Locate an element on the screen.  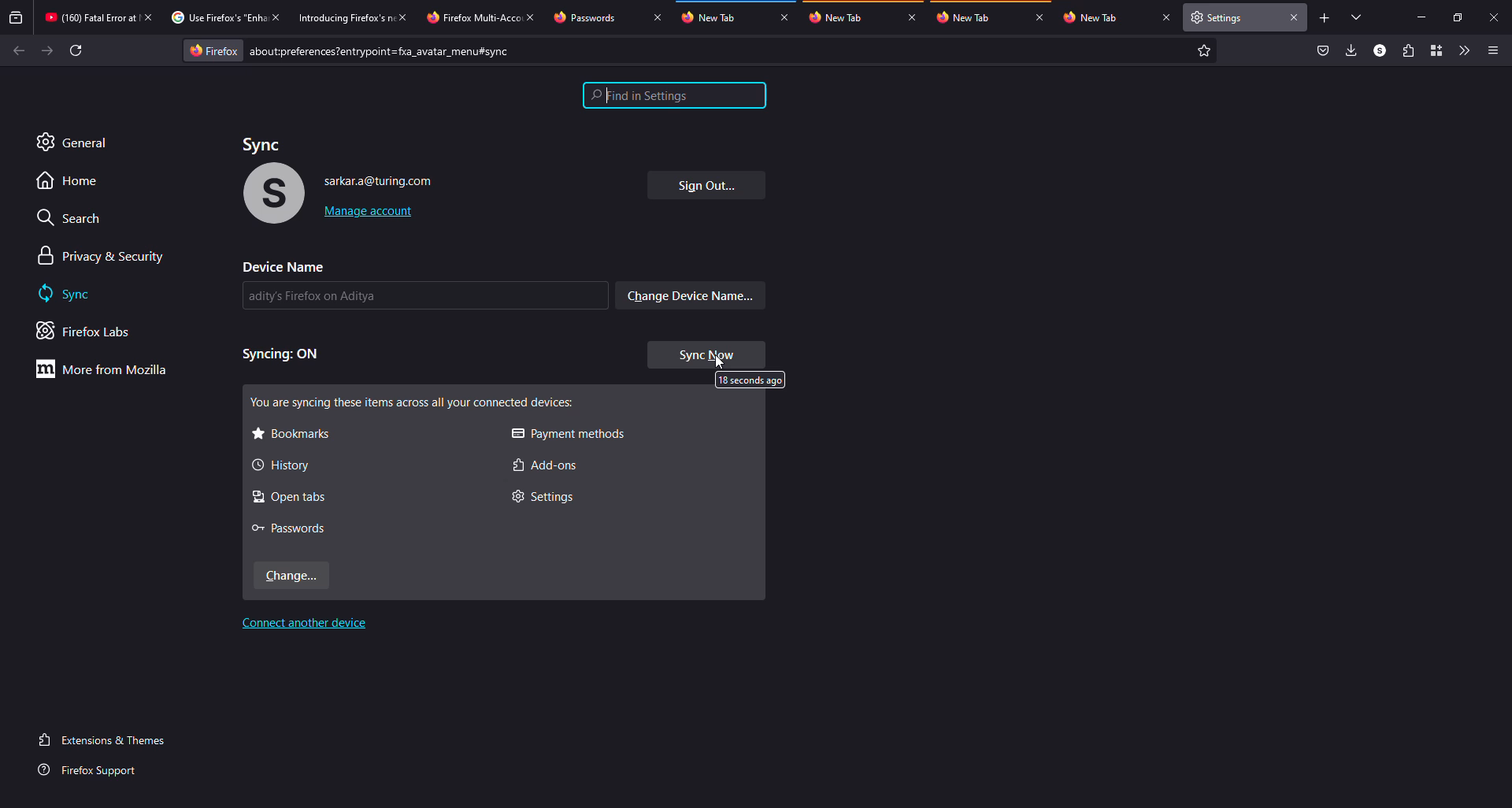
maximize is located at coordinates (1458, 17).